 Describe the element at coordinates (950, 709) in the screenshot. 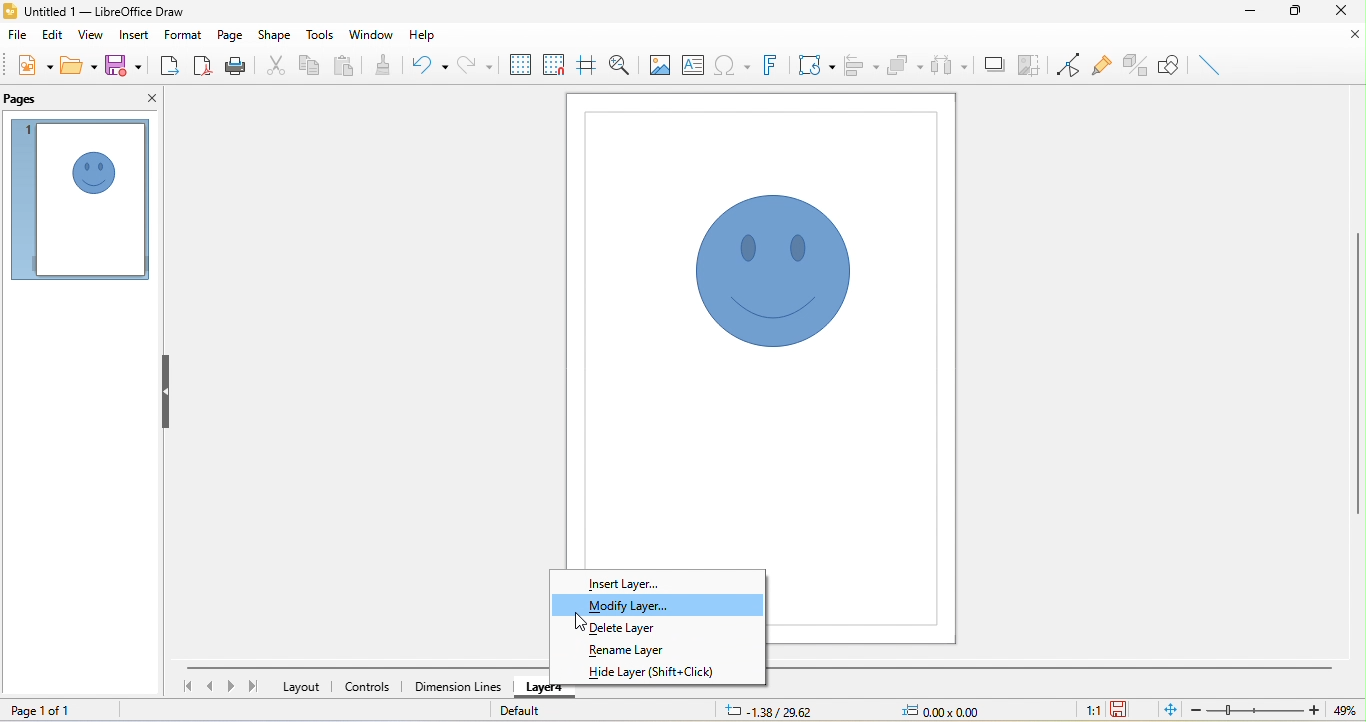

I see `0.00x0.00` at that location.